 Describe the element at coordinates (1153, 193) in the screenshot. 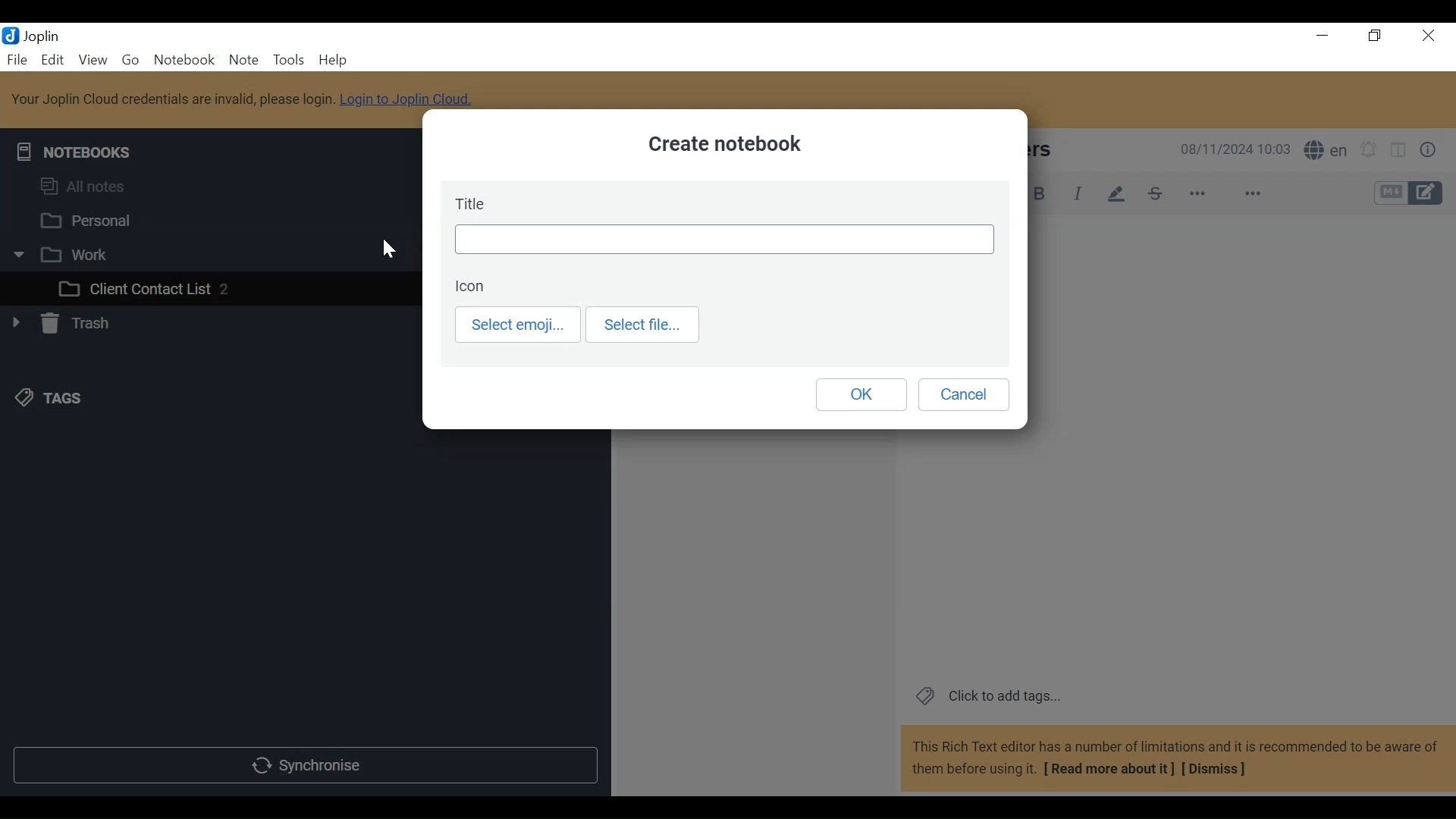

I see `Strikethrough` at that location.